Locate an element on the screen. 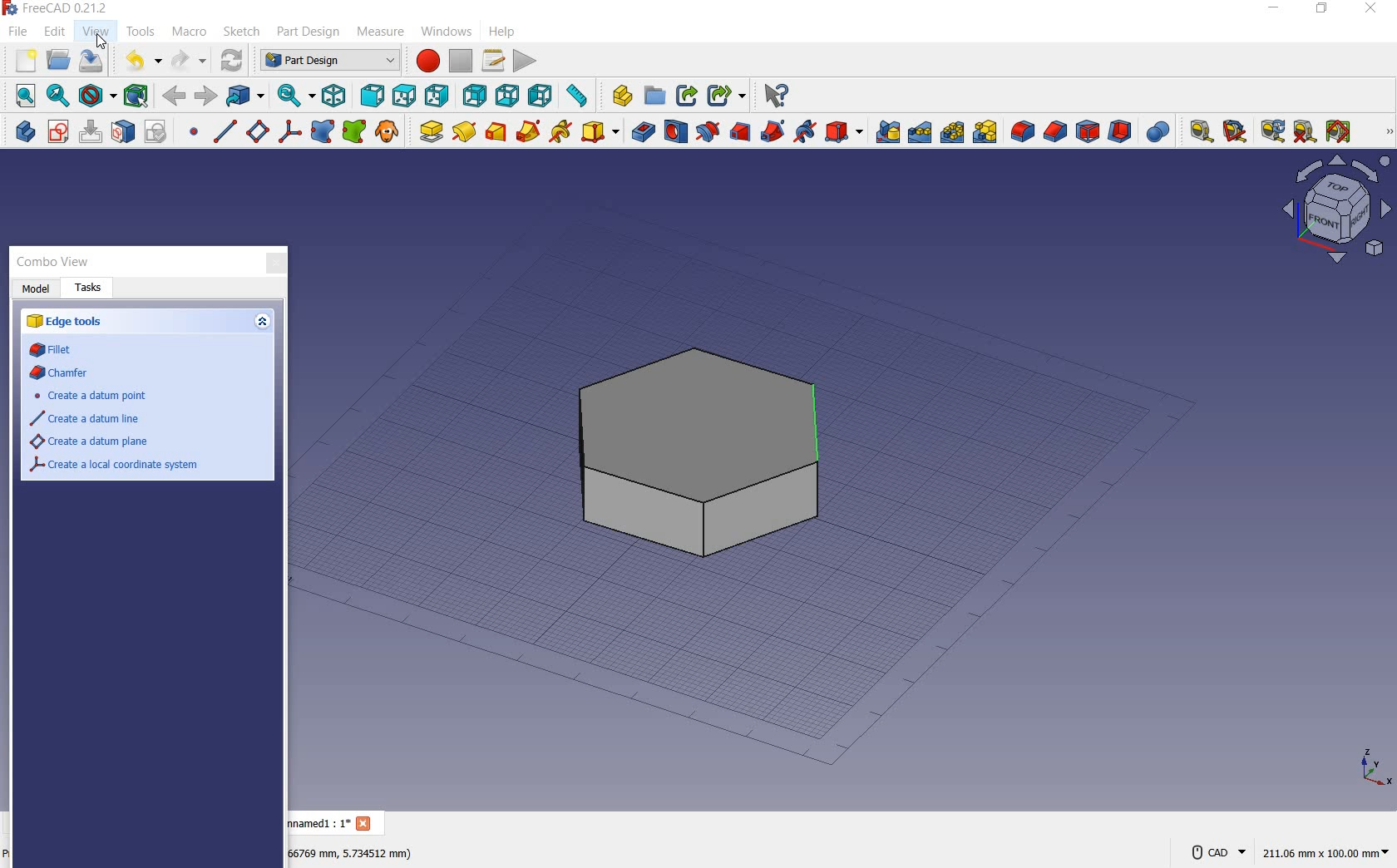  subtractive helix is located at coordinates (805, 133).